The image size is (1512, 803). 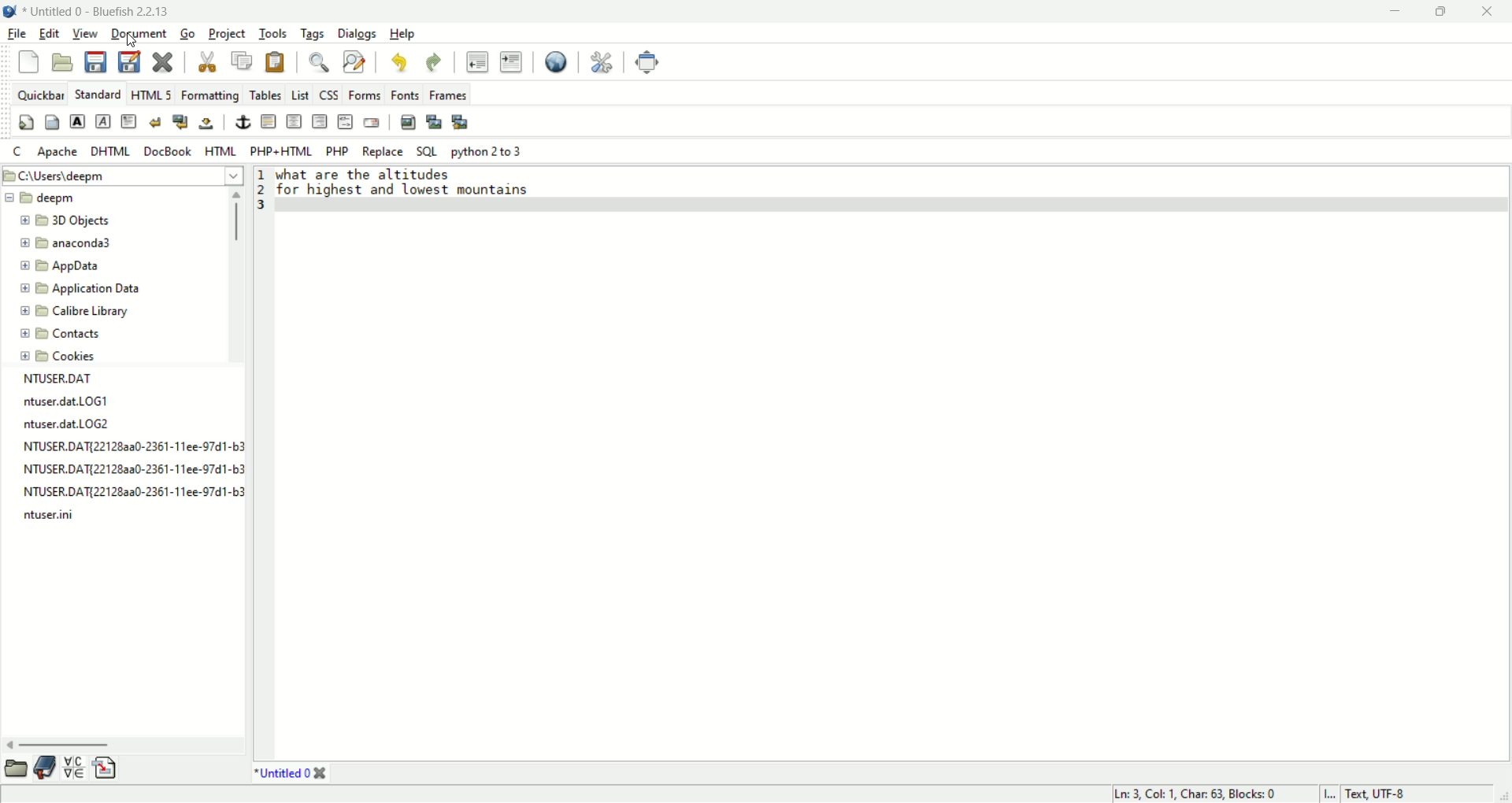 What do you see at coordinates (94, 61) in the screenshot?
I see `save current file` at bounding box center [94, 61].